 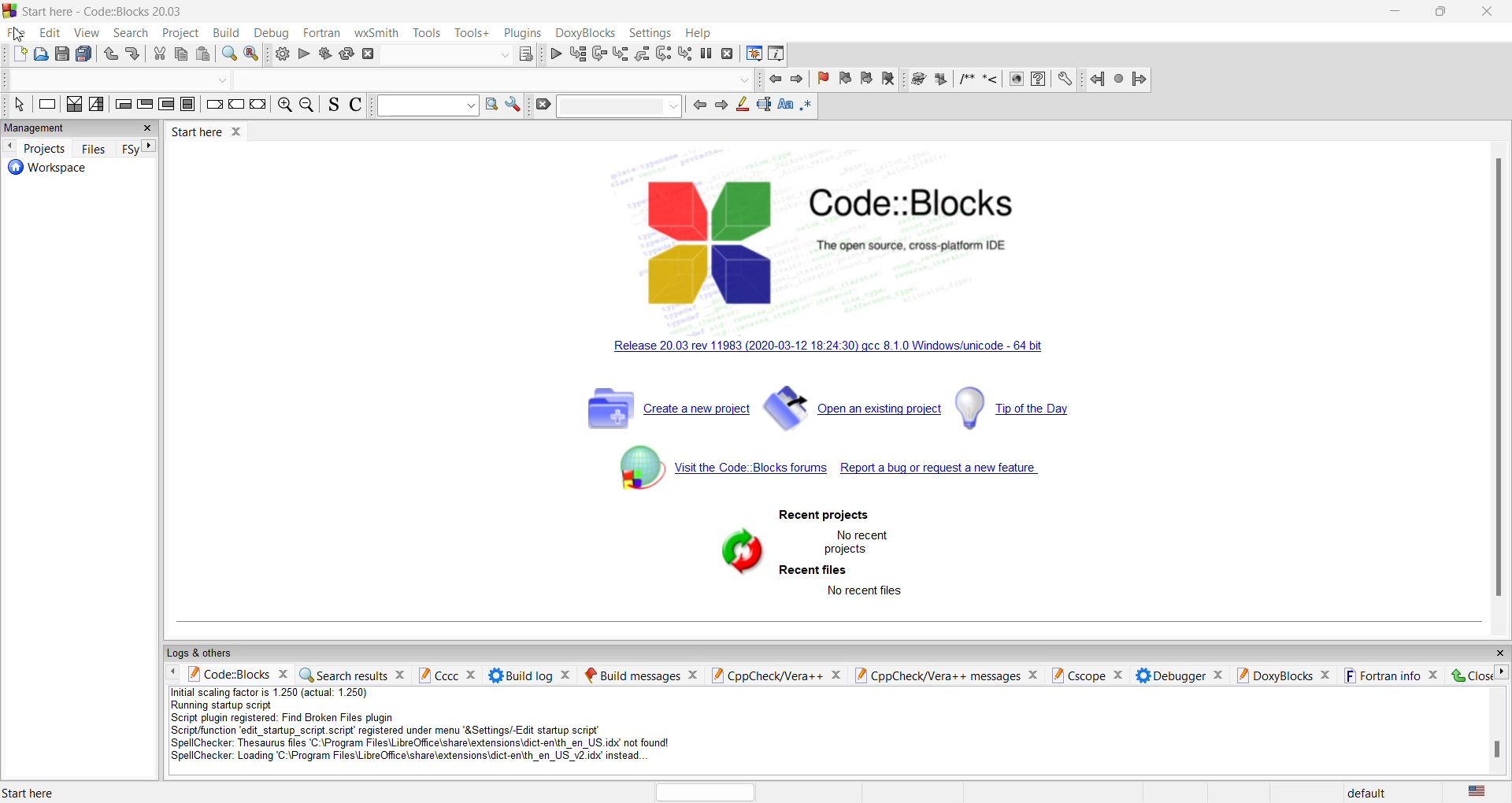 I want to click on rebuild, so click(x=347, y=54).